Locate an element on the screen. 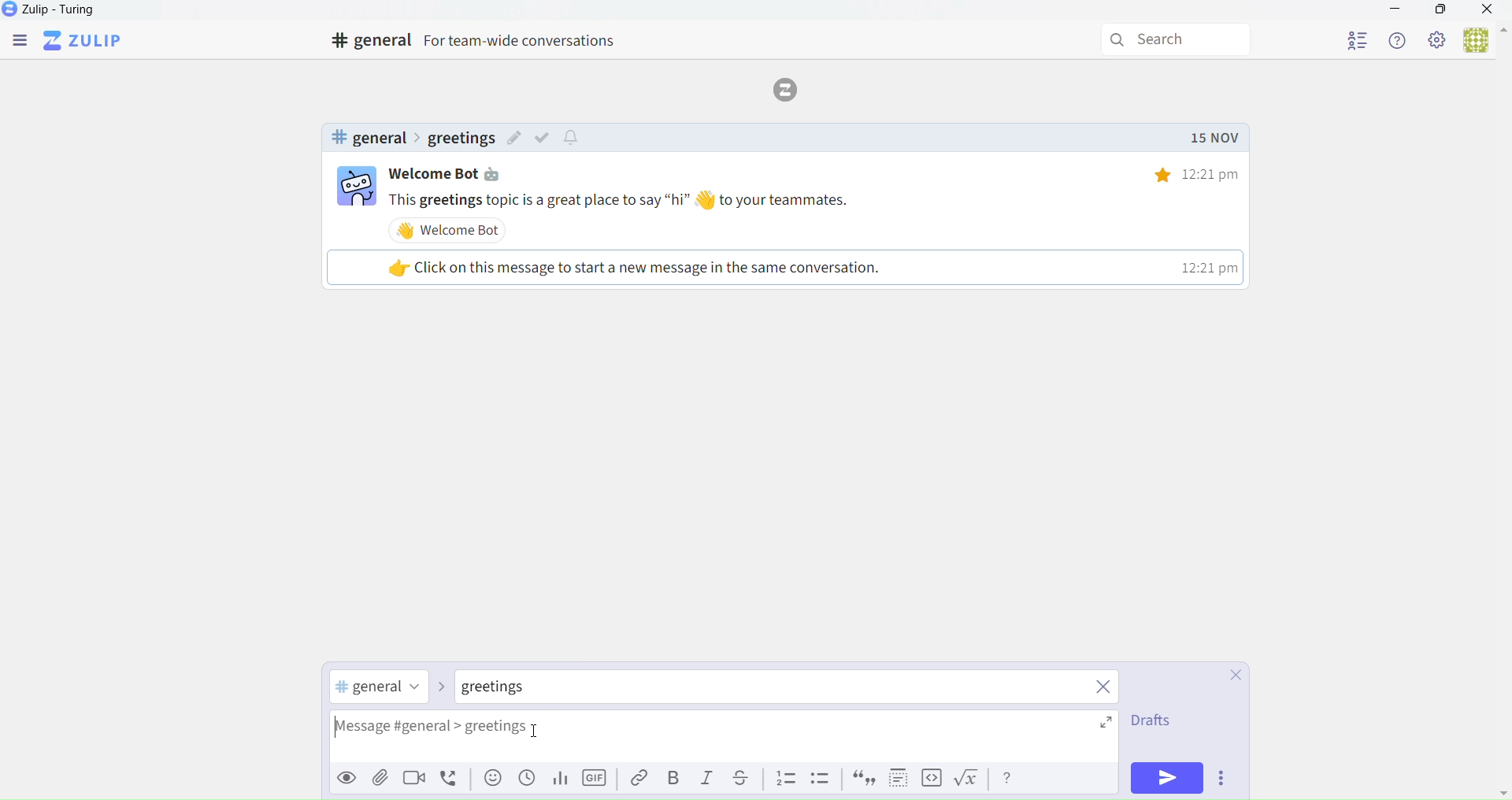 The image size is (1512, 800). greetings is located at coordinates (460, 139).